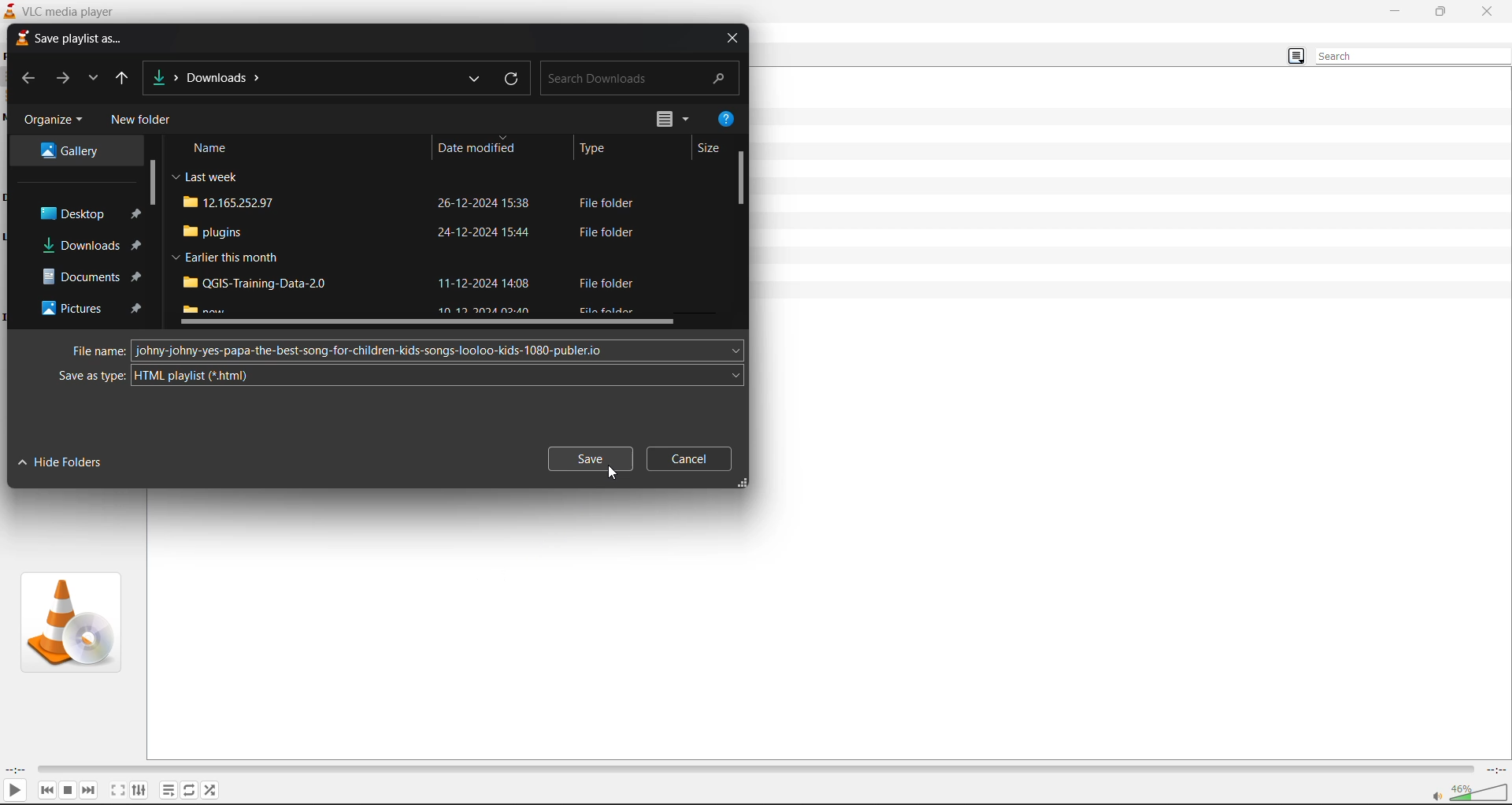 This screenshot has width=1512, height=805. I want to click on settings, so click(140, 791).